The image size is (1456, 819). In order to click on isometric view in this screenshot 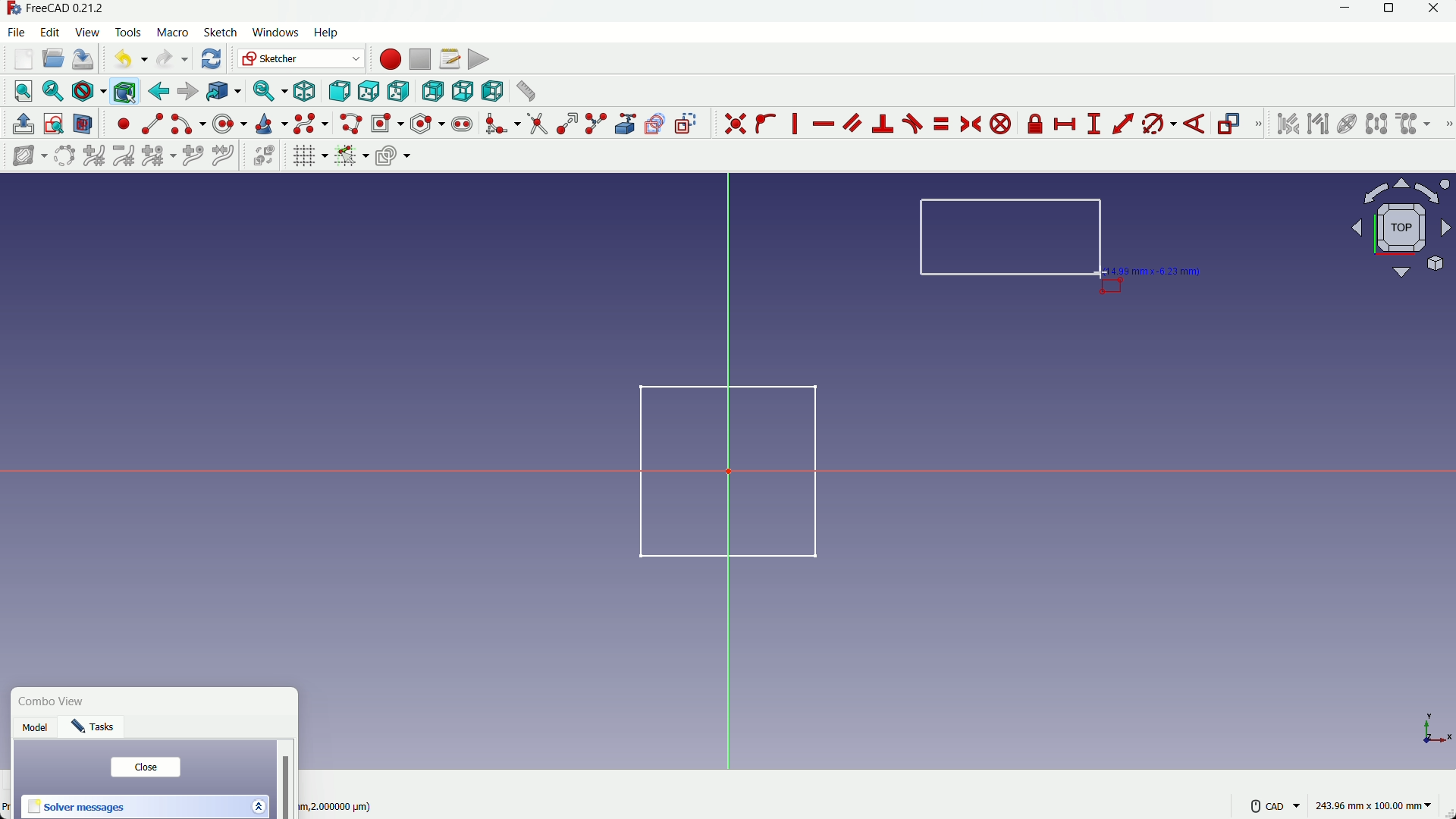, I will do `click(305, 92)`.